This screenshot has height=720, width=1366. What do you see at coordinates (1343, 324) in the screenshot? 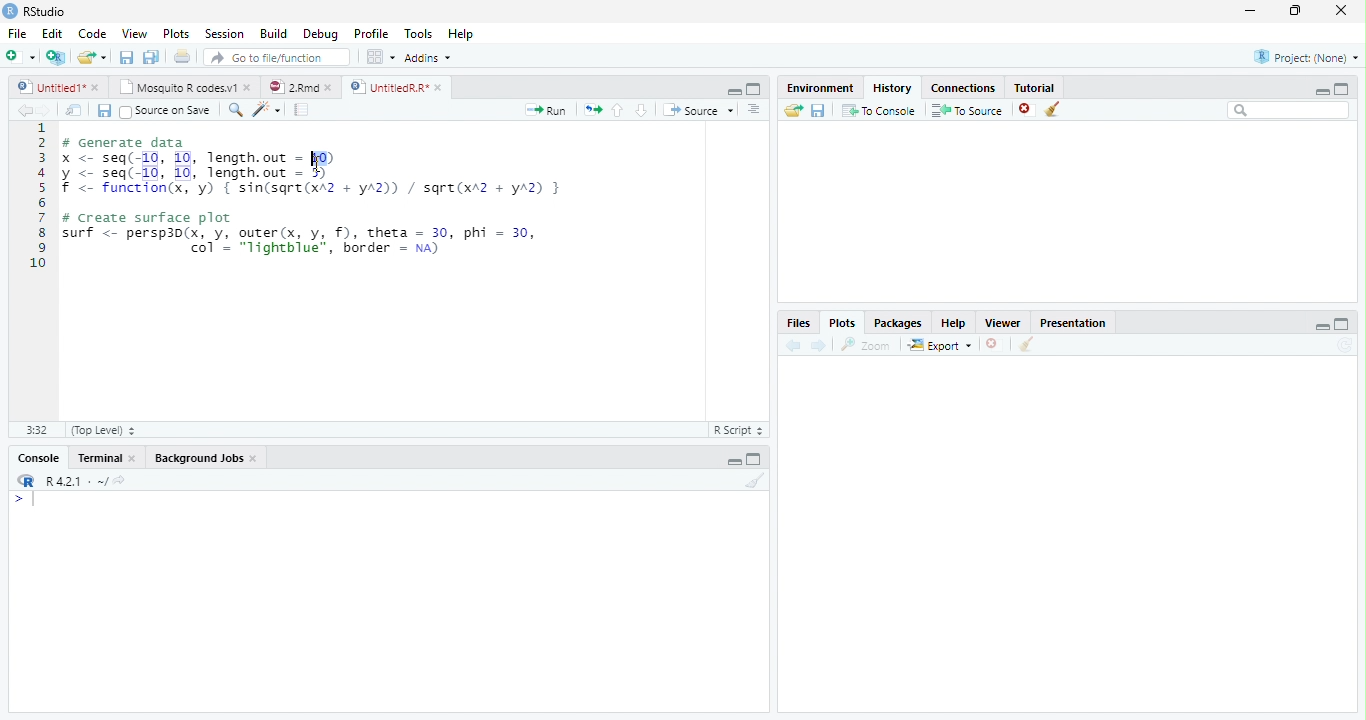
I see `maximize` at bounding box center [1343, 324].